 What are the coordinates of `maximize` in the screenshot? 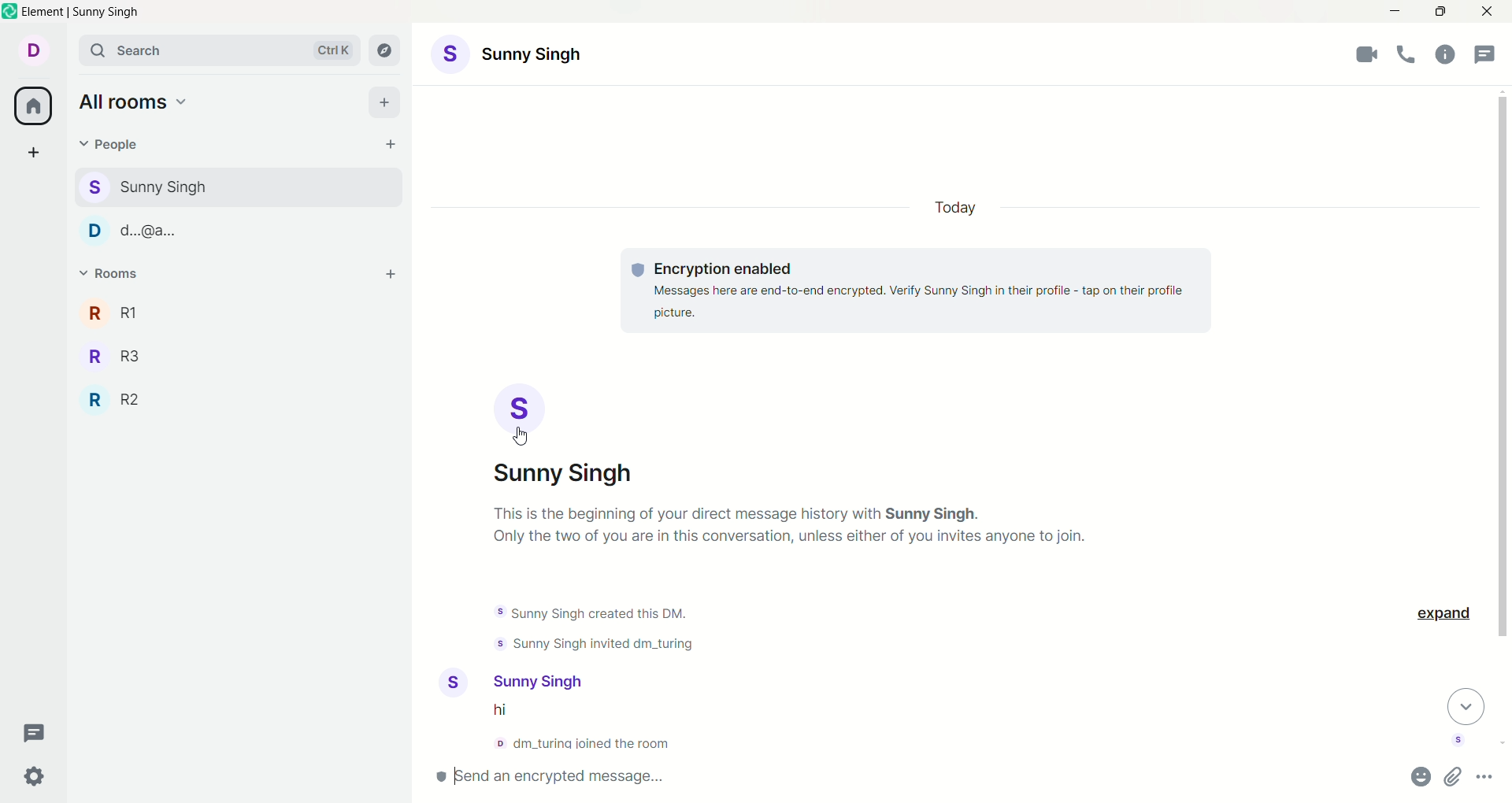 It's located at (1439, 13).